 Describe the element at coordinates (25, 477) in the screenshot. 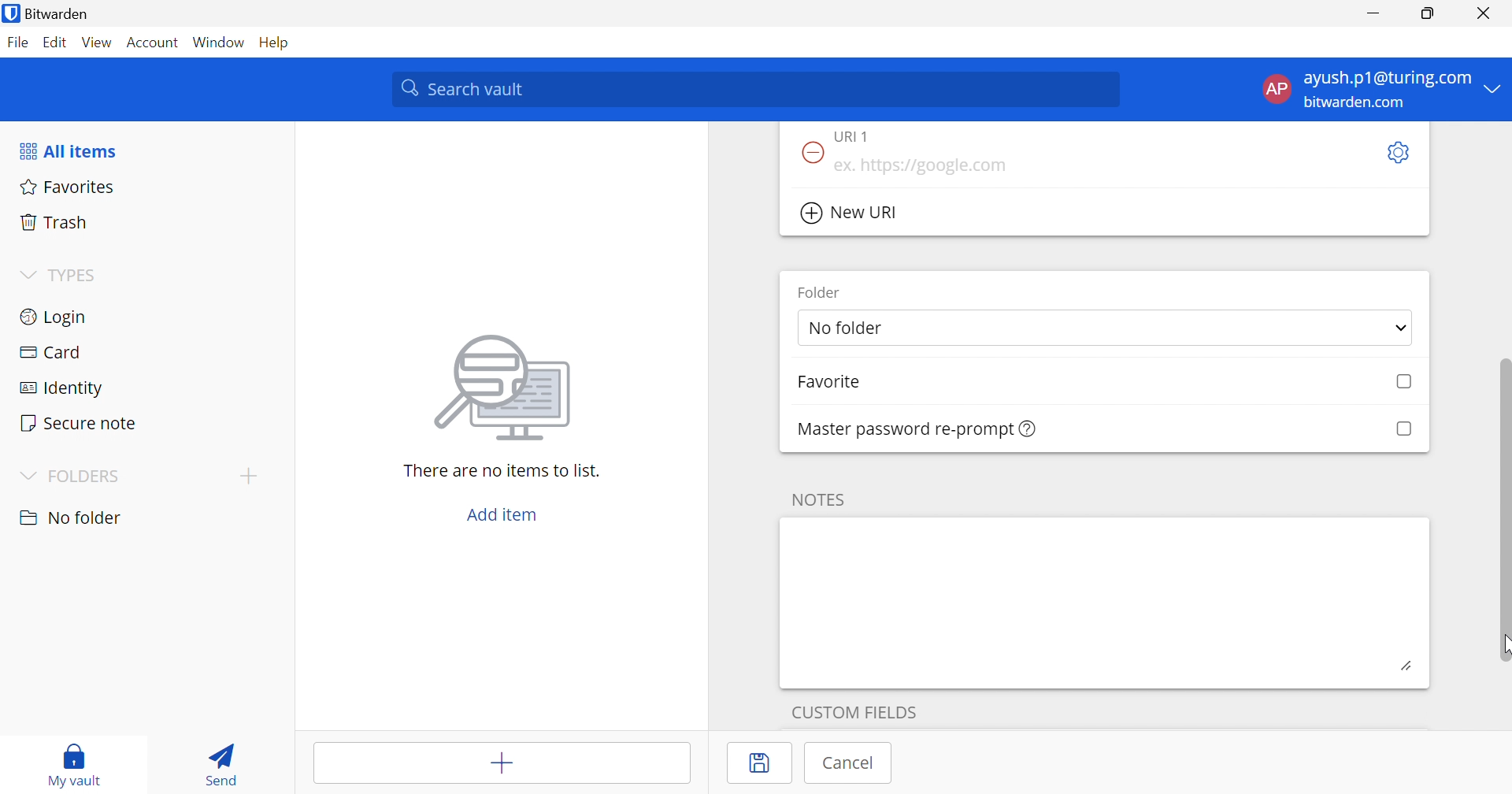

I see `Drop Down` at that location.